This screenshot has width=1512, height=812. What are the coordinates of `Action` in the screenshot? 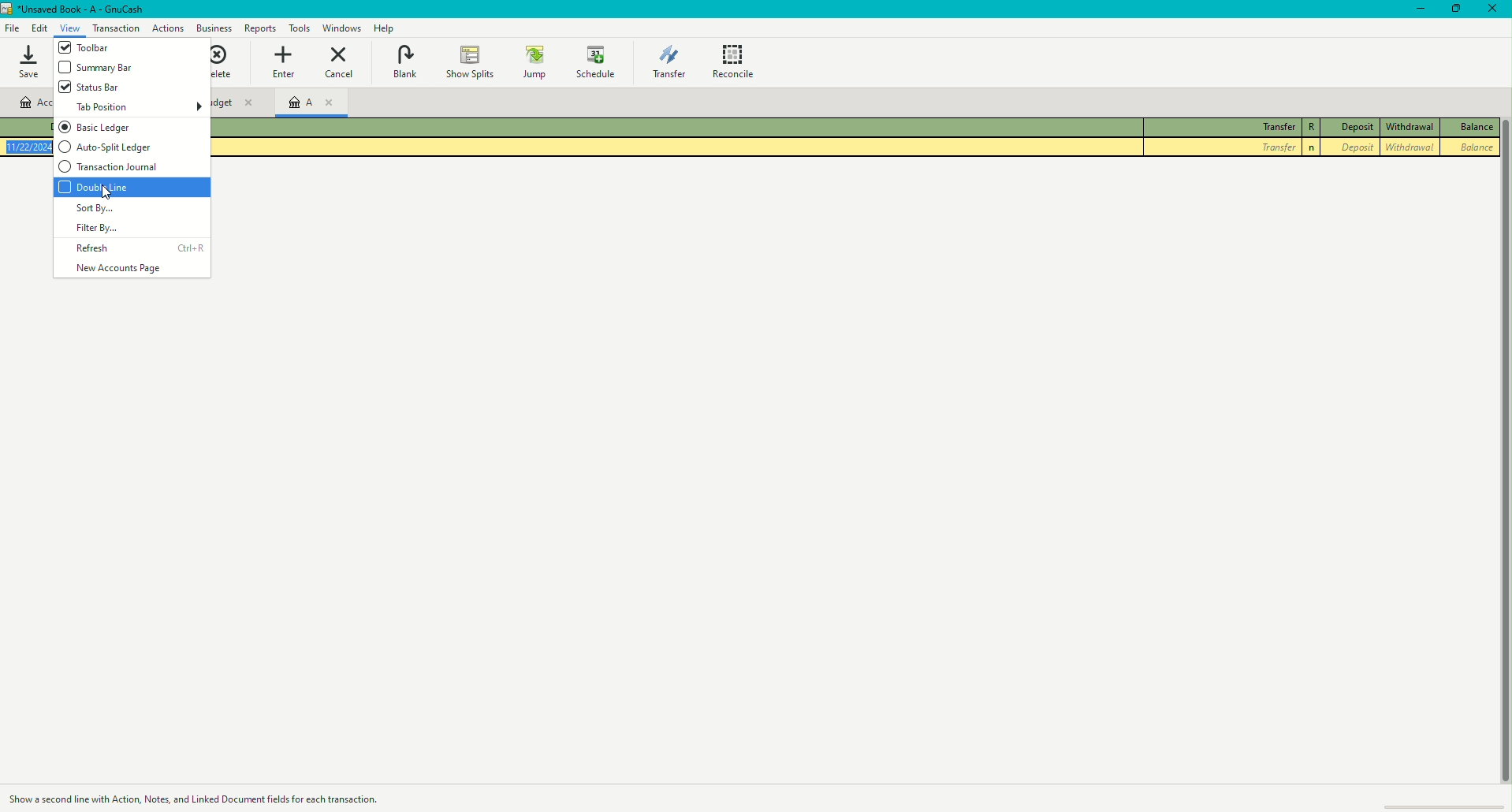 It's located at (166, 28).